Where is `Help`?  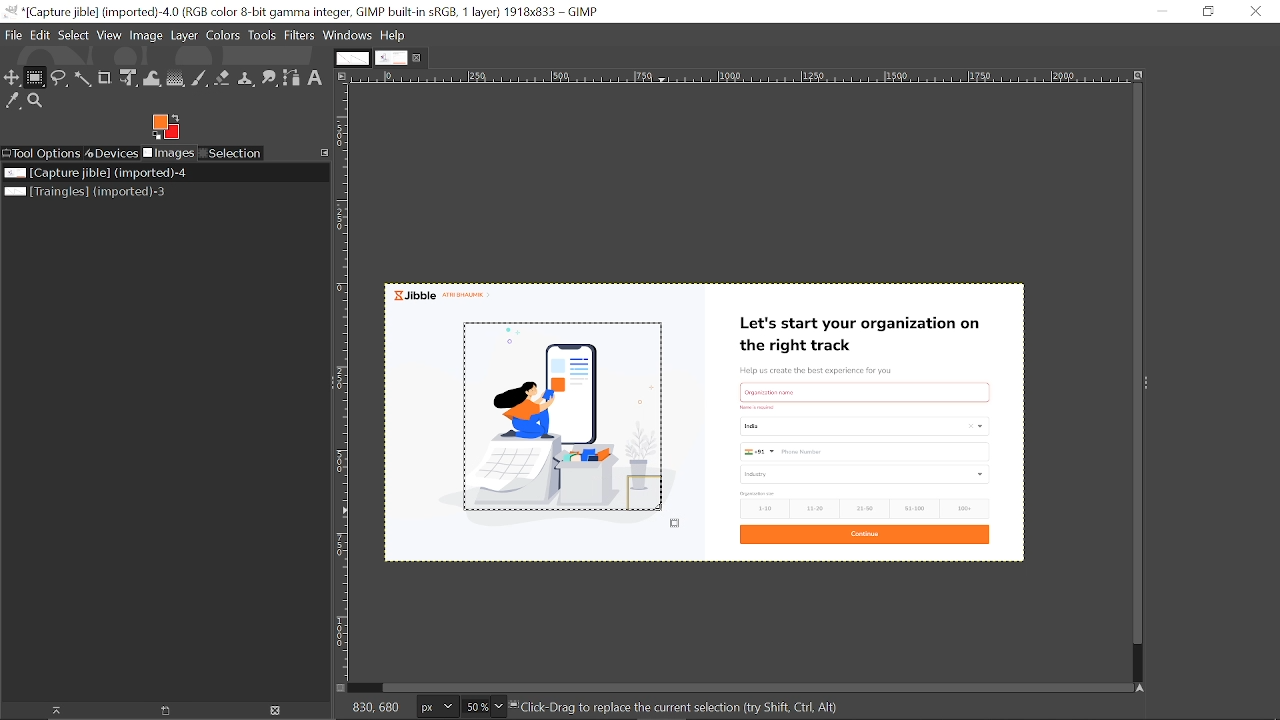 Help is located at coordinates (394, 35).